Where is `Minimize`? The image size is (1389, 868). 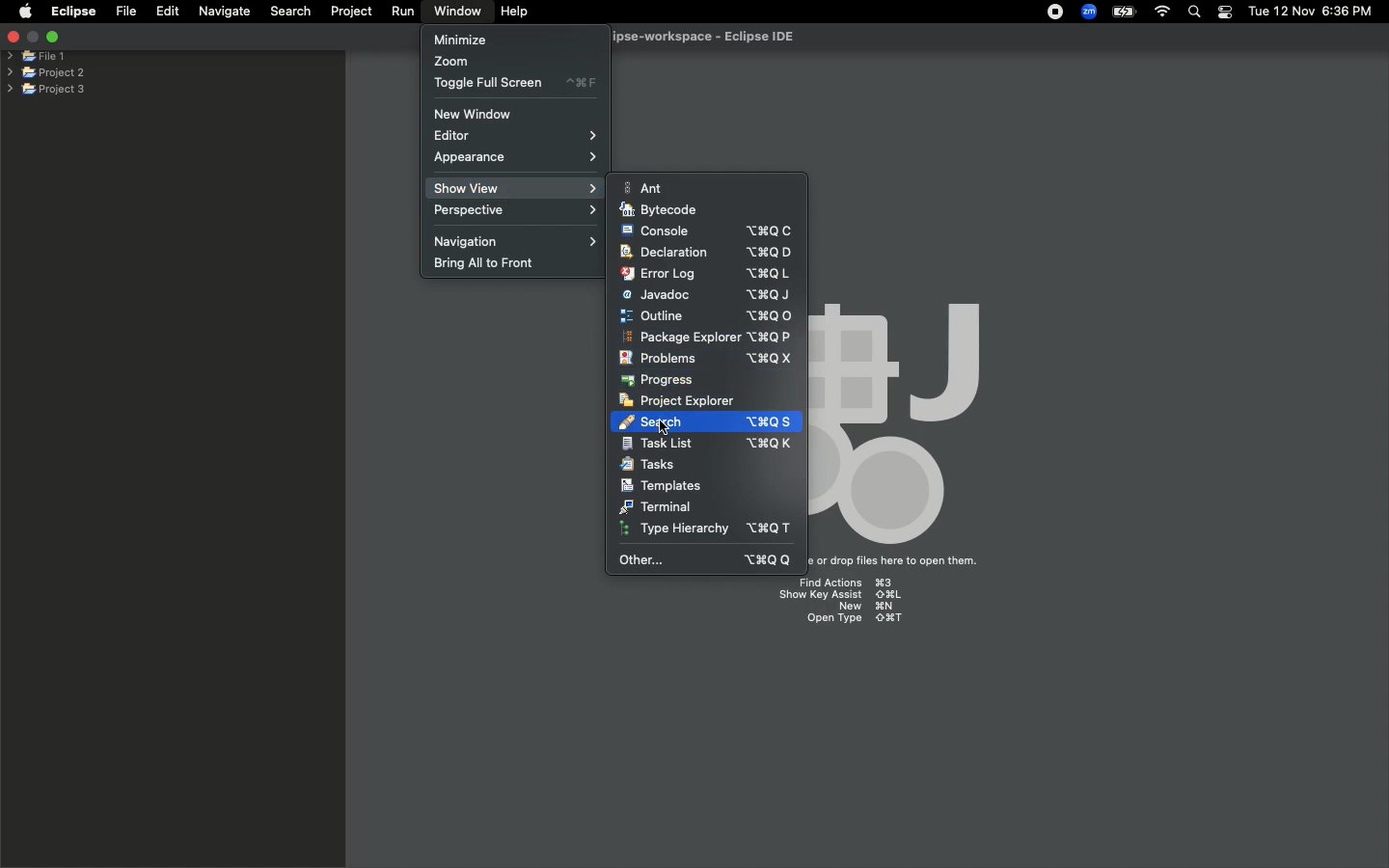
Minimize is located at coordinates (460, 39).